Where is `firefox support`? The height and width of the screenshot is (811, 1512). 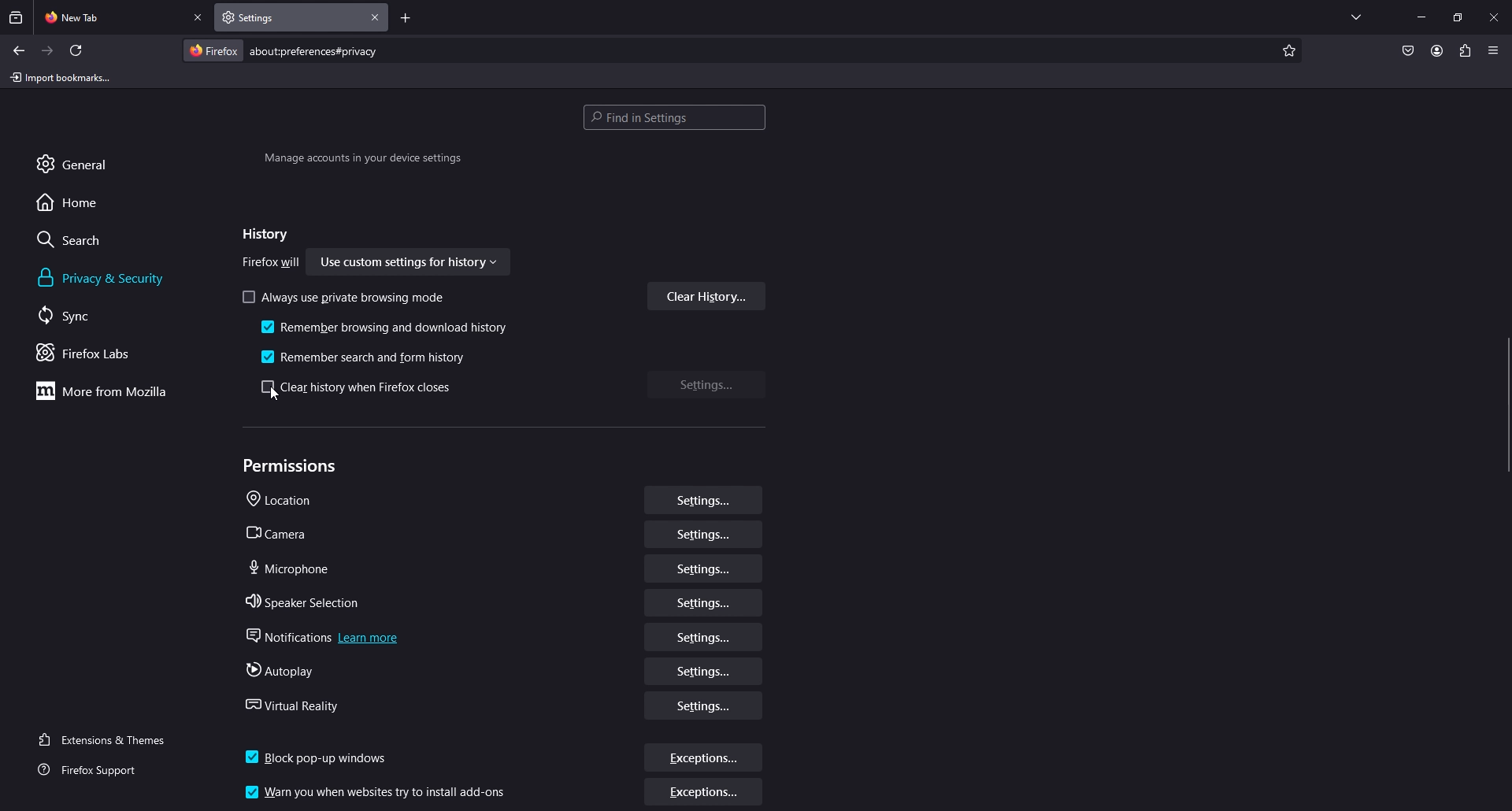 firefox support is located at coordinates (102, 771).